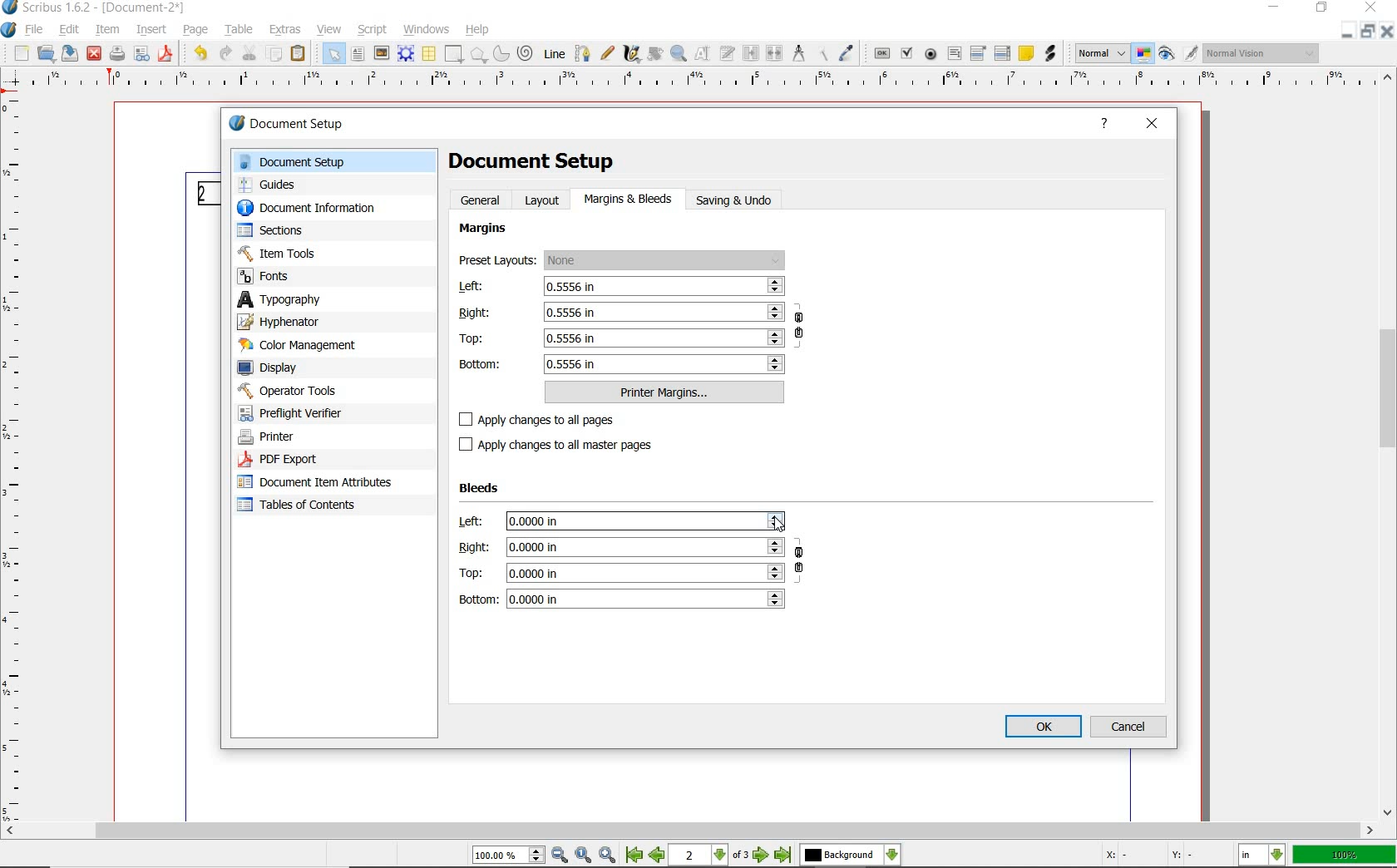 The image size is (1397, 868). What do you see at coordinates (294, 415) in the screenshot?
I see `preflight verifier` at bounding box center [294, 415].